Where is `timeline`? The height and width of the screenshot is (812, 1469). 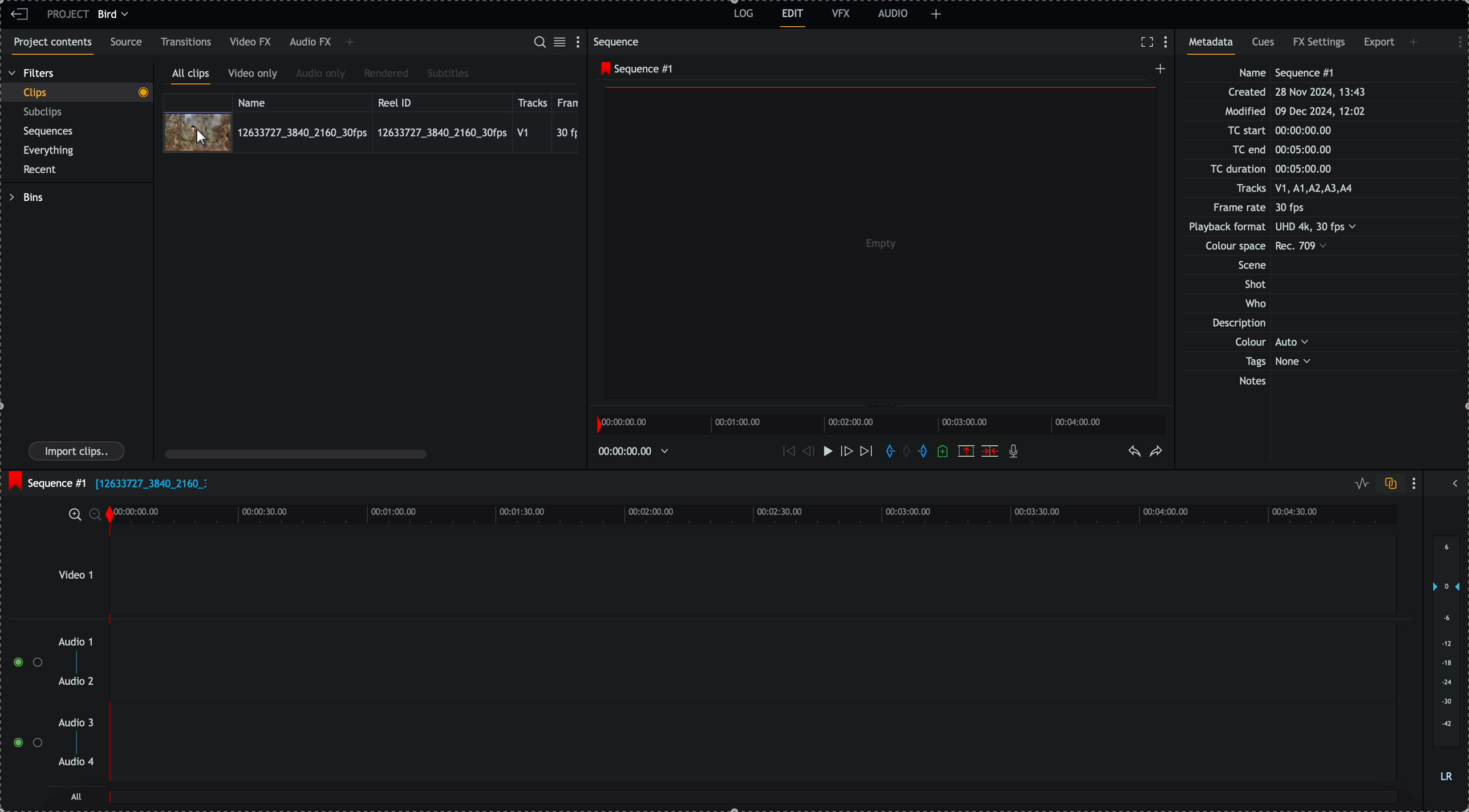
timeline is located at coordinates (637, 450).